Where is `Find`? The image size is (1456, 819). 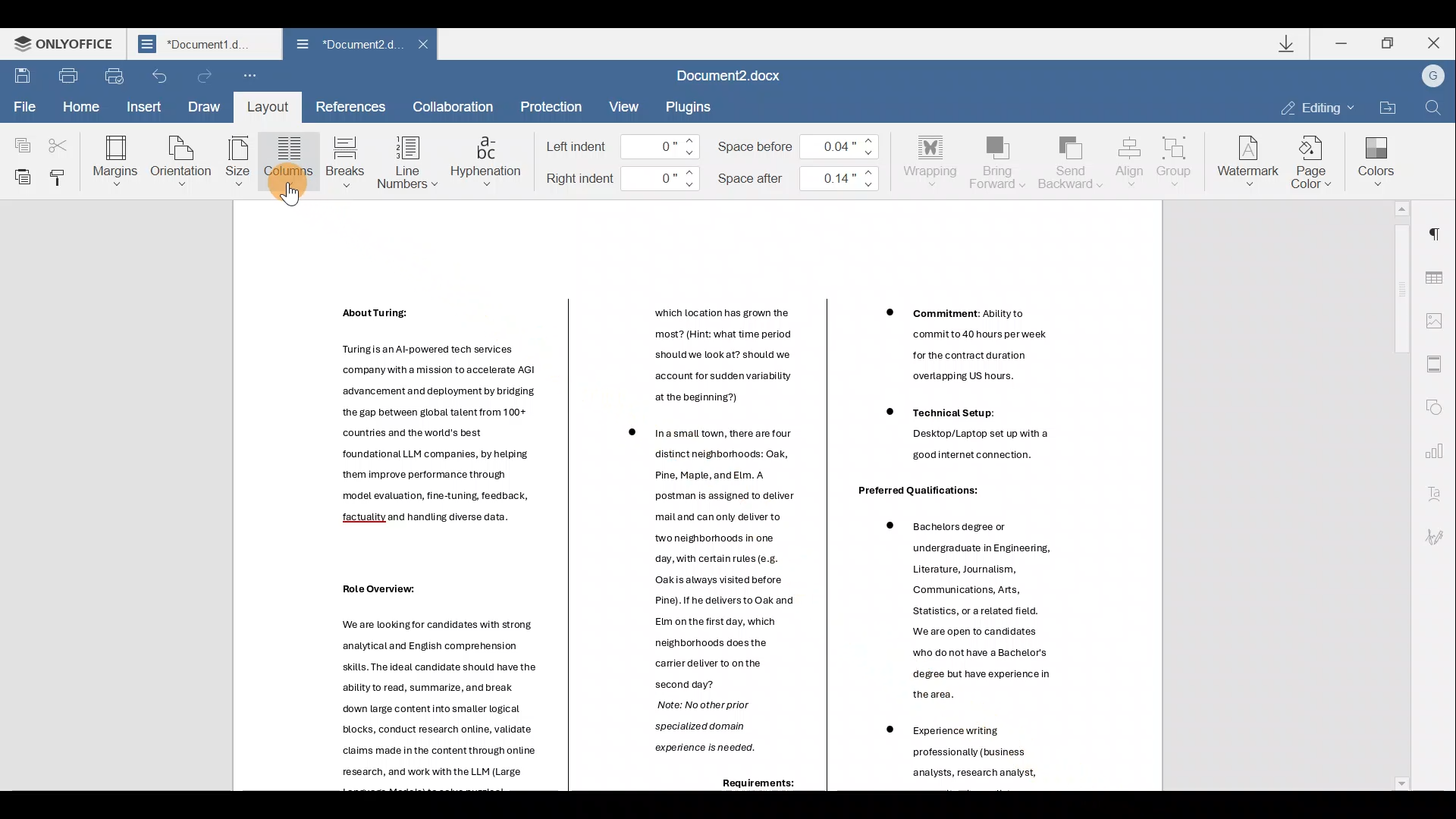
Find is located at coordinates (1434, 108).